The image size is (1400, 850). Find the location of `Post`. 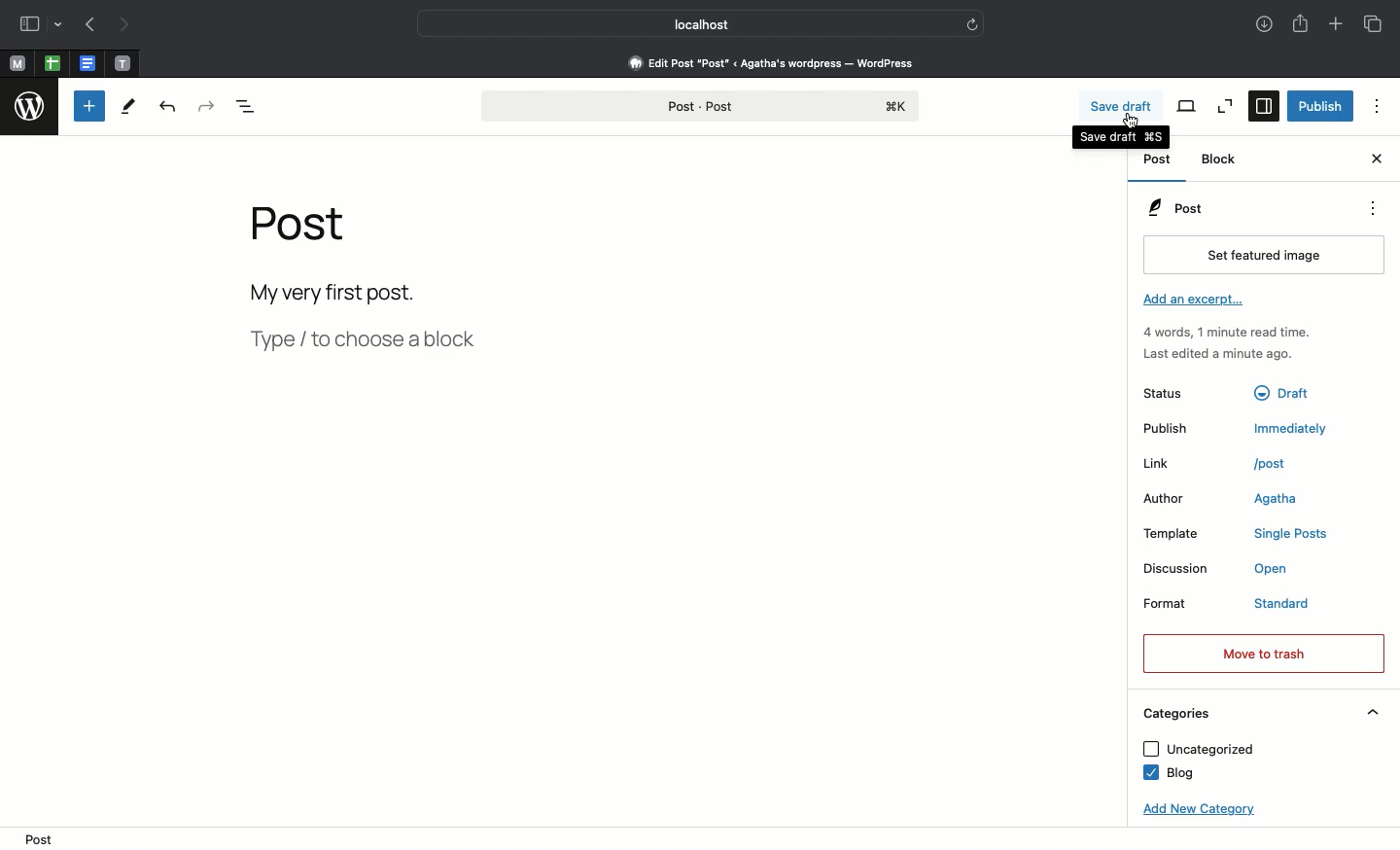

Post is located at coordinates (1174, 208).